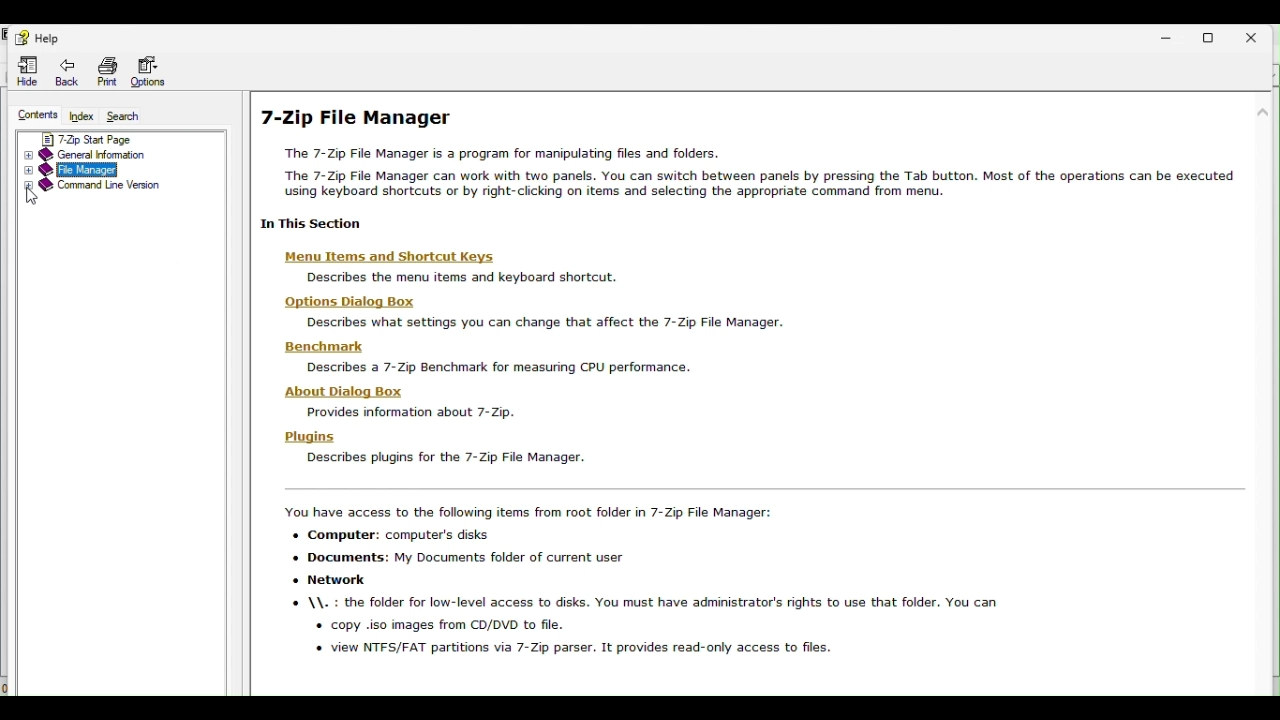 This screenshot has height=720, width=1280. Describe the element at coordinates (65, 73) in the screenshot. I see `Back` at that location.